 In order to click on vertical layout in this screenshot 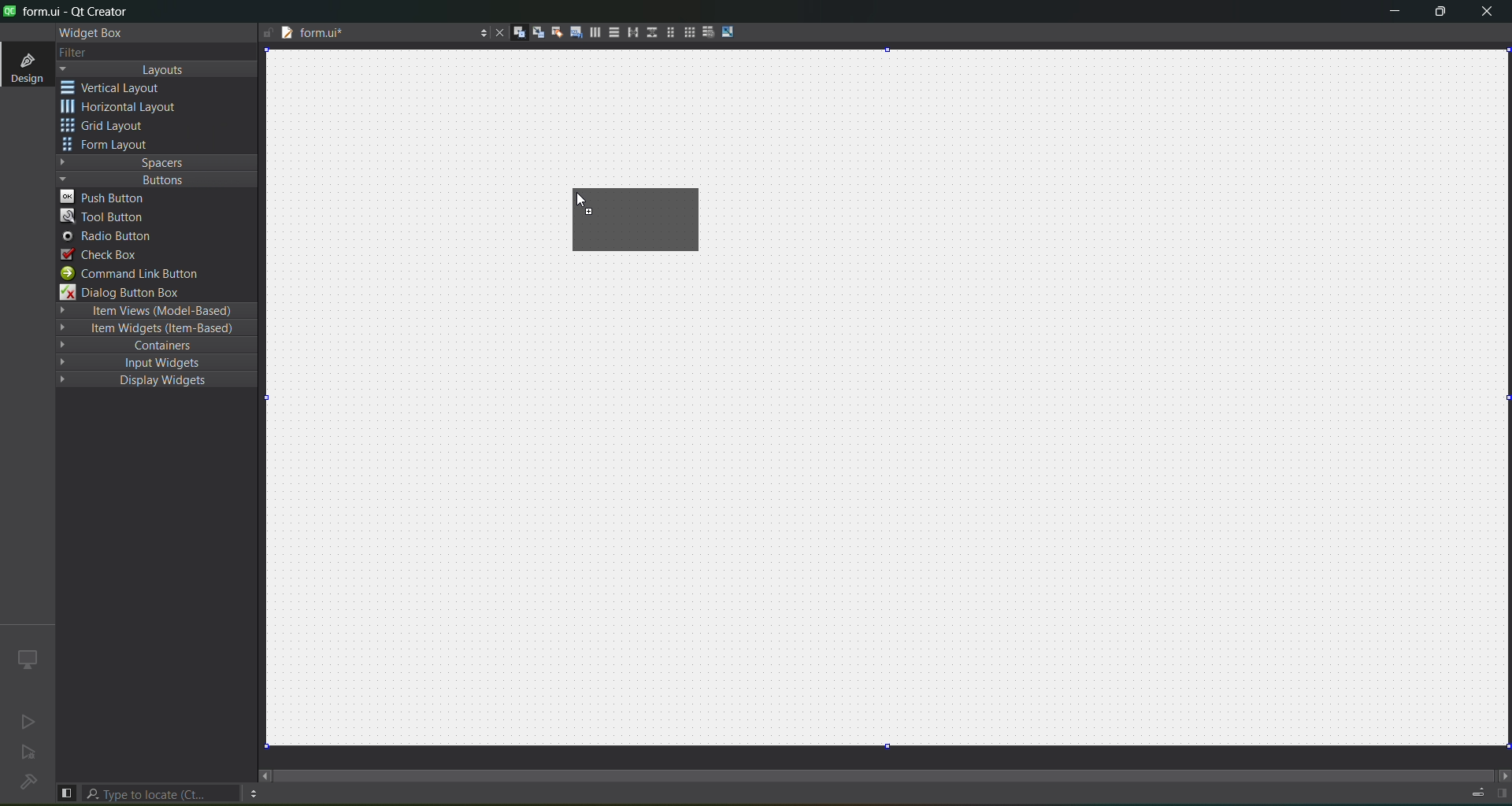, I will do `click(123, 87)`.